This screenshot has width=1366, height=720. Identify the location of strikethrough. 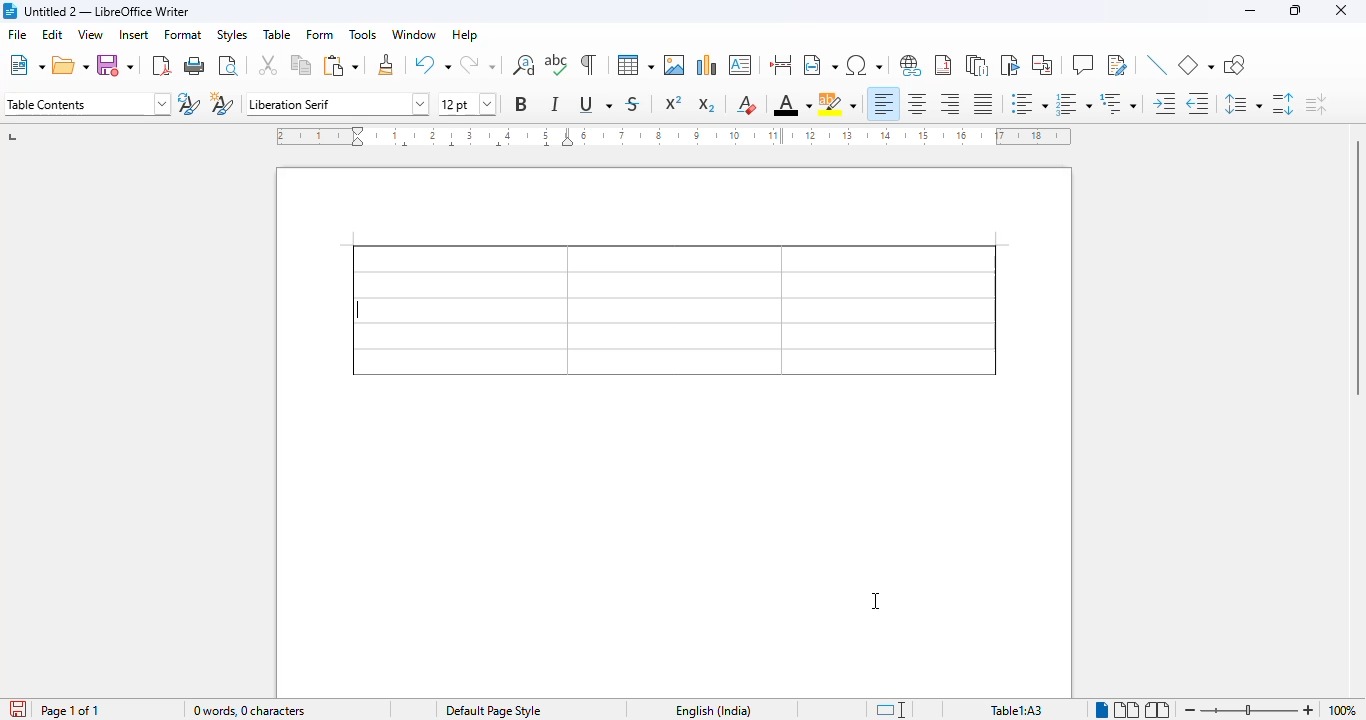
(634, 103).